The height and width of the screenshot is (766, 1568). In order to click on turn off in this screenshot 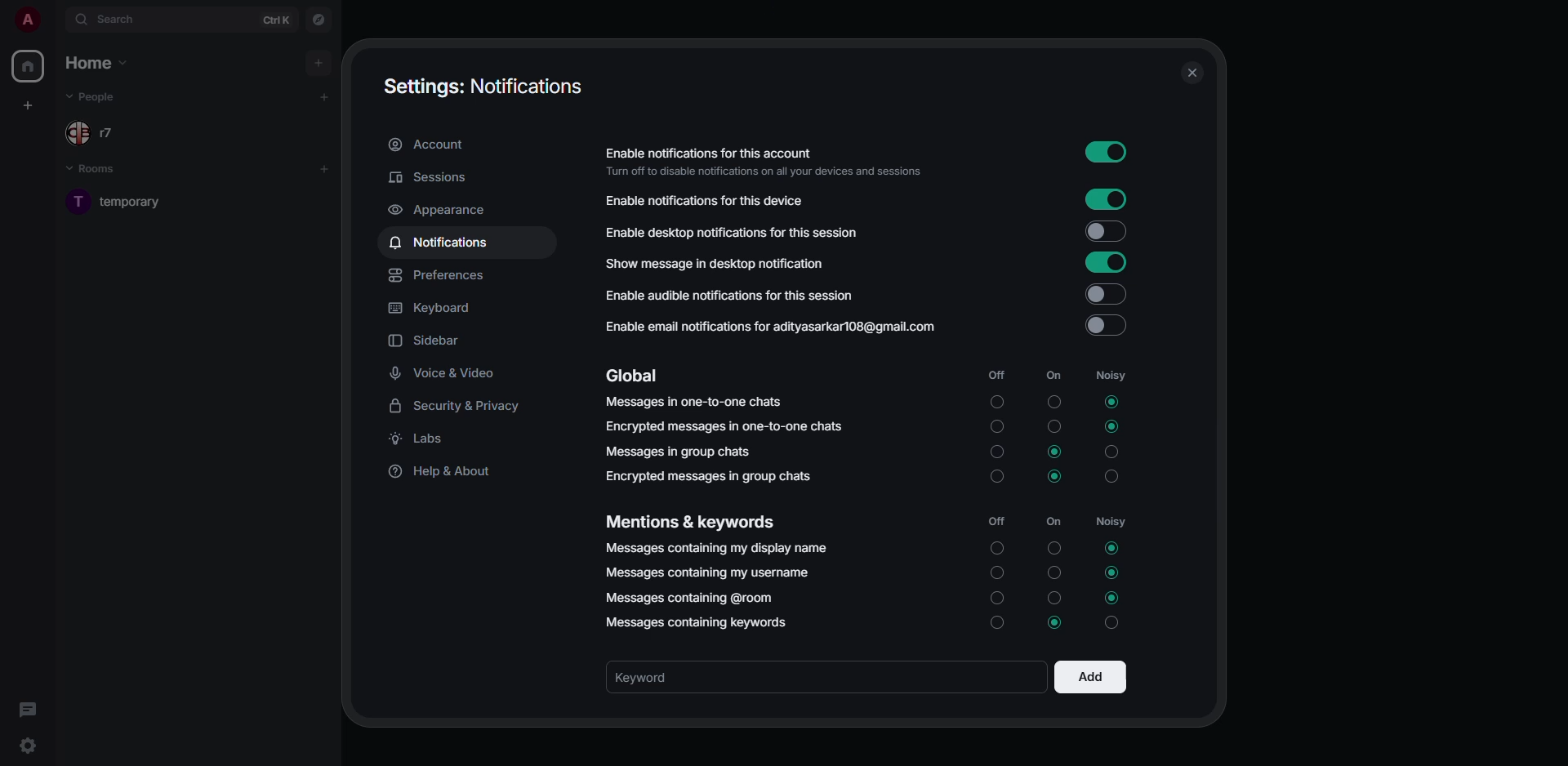, I will do `click(1054, 428)`.